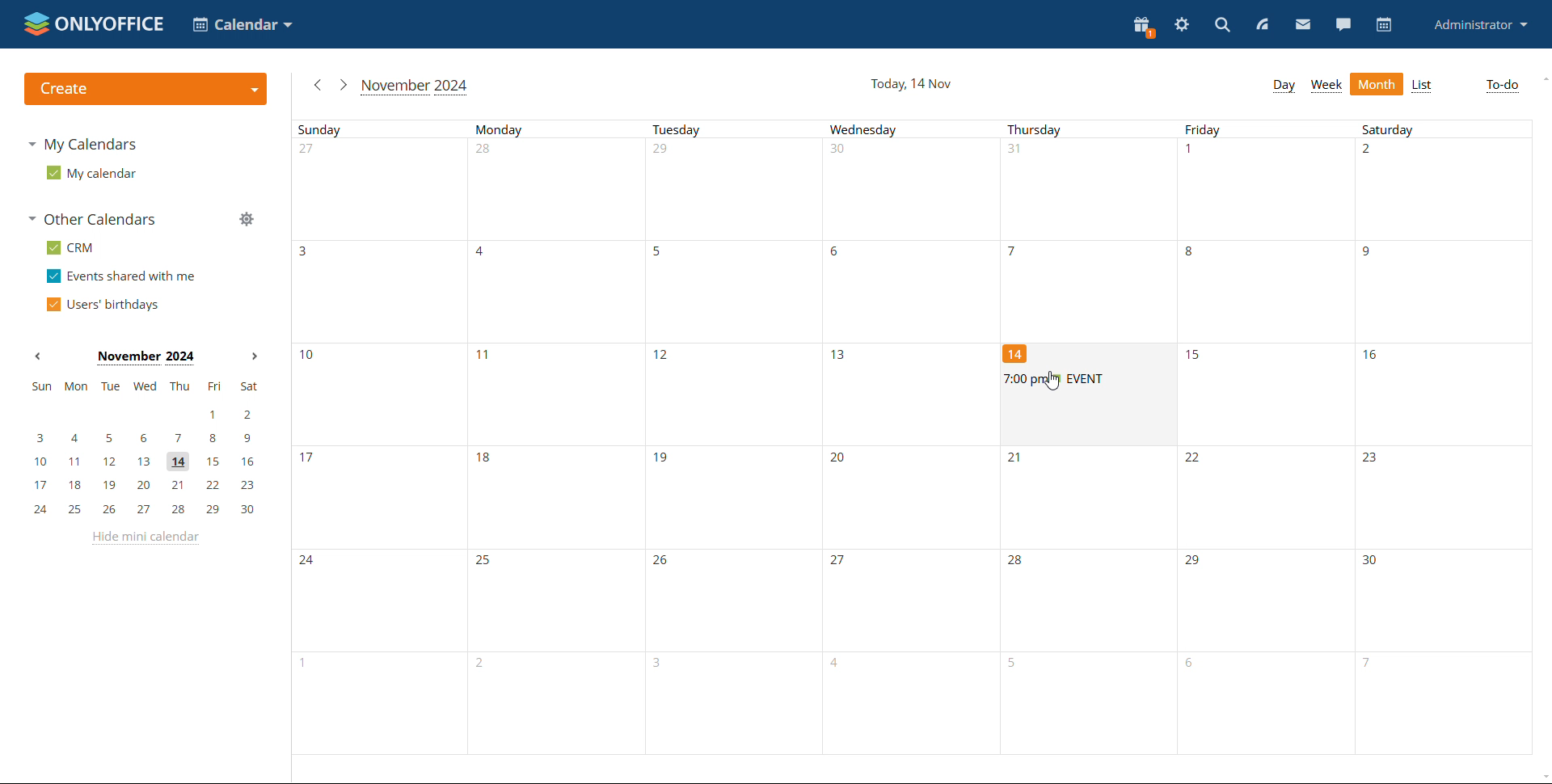 The image size is (1552, 784). I want to click on mail, so click(1303, 25).